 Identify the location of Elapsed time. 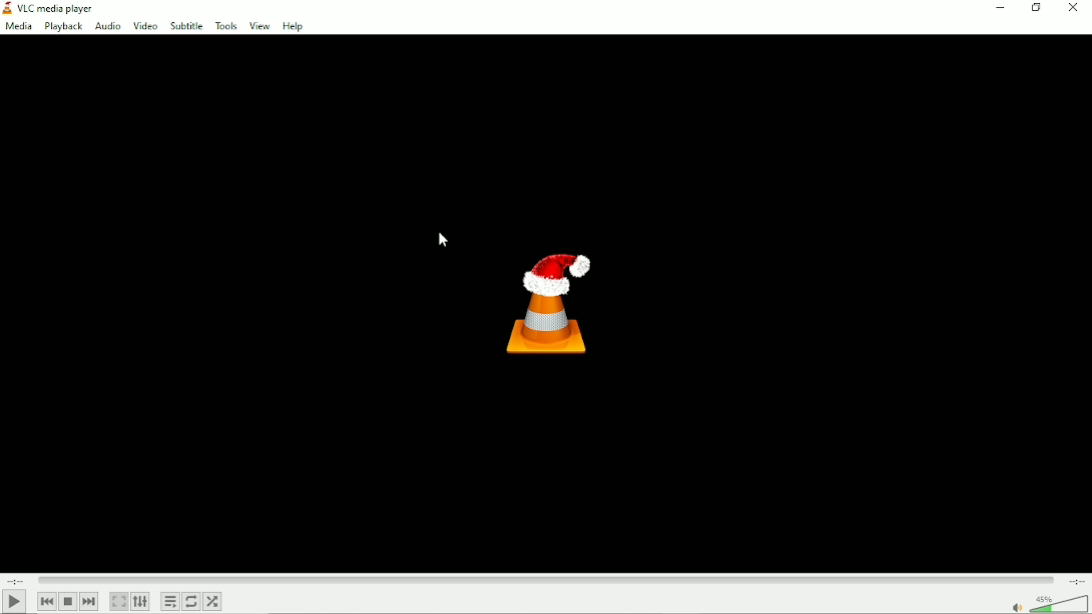
(17, 580).